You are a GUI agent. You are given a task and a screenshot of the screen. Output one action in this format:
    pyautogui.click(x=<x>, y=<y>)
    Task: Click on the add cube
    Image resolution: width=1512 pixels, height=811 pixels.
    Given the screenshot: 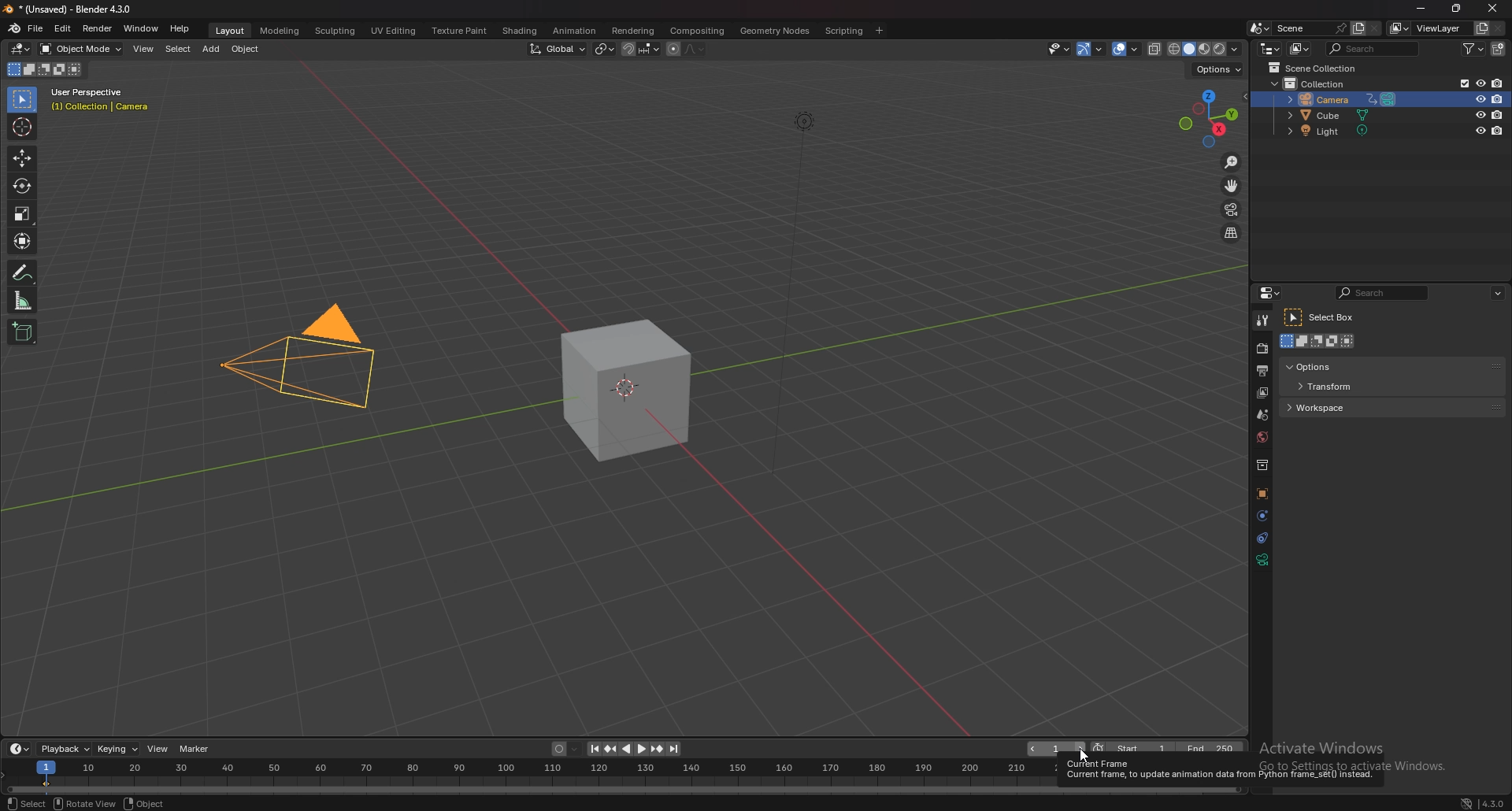 What is the action you would take?
    pyautogui.click(x=20, y=332)
    